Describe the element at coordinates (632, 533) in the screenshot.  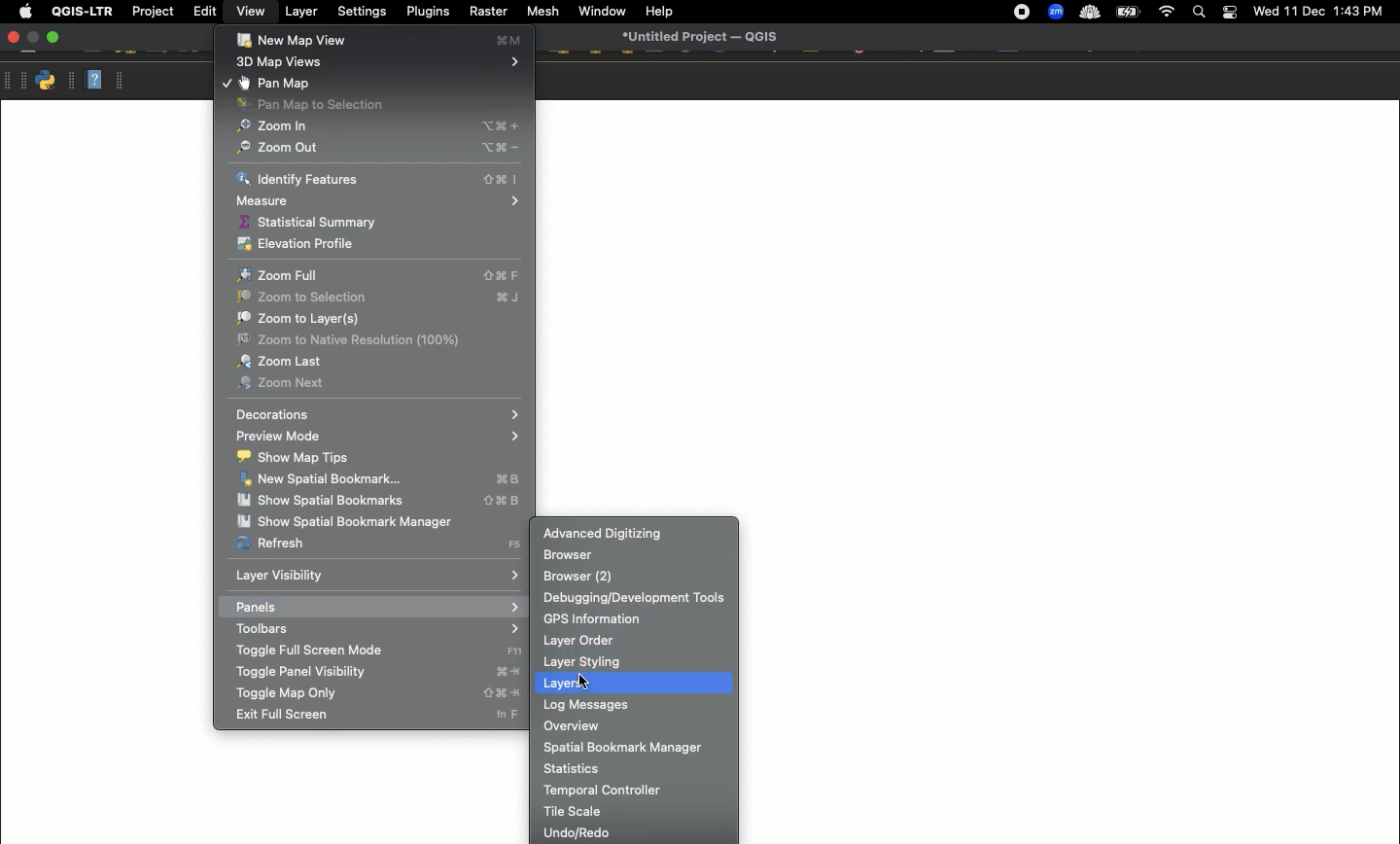
I see `Advanced digitizing` at that location.